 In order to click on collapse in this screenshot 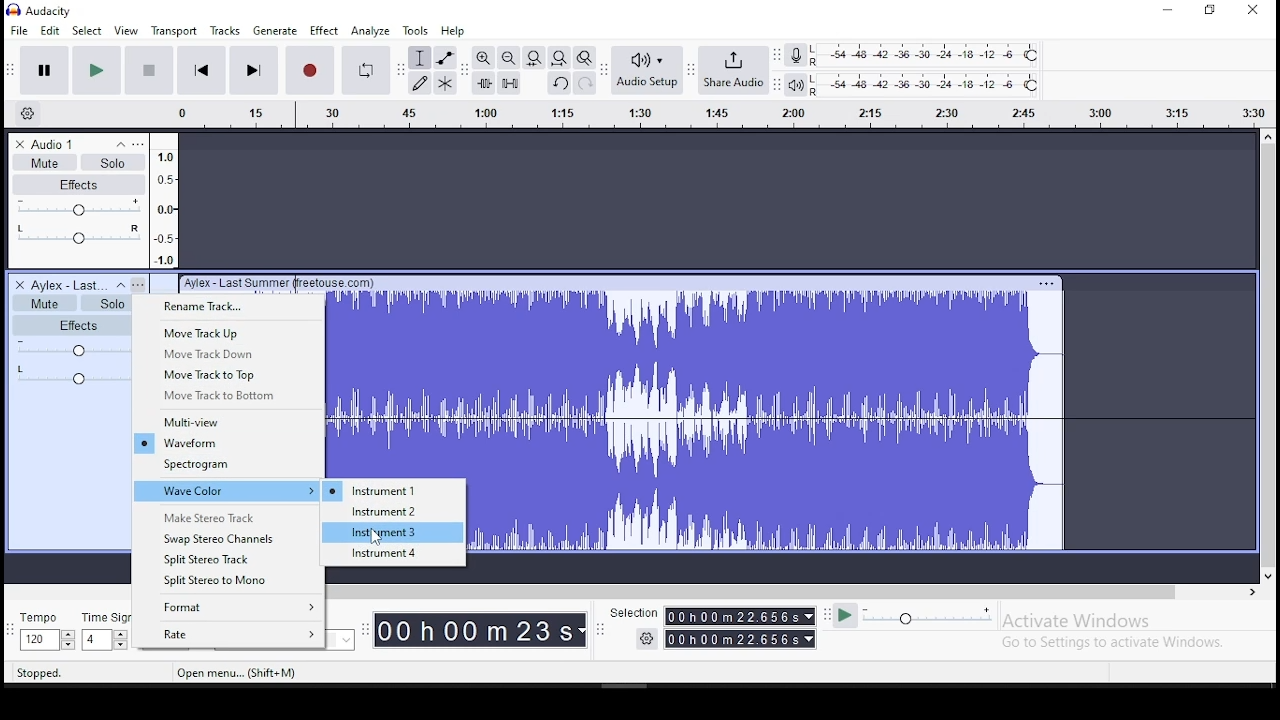, I will do `click(120, 285)`.